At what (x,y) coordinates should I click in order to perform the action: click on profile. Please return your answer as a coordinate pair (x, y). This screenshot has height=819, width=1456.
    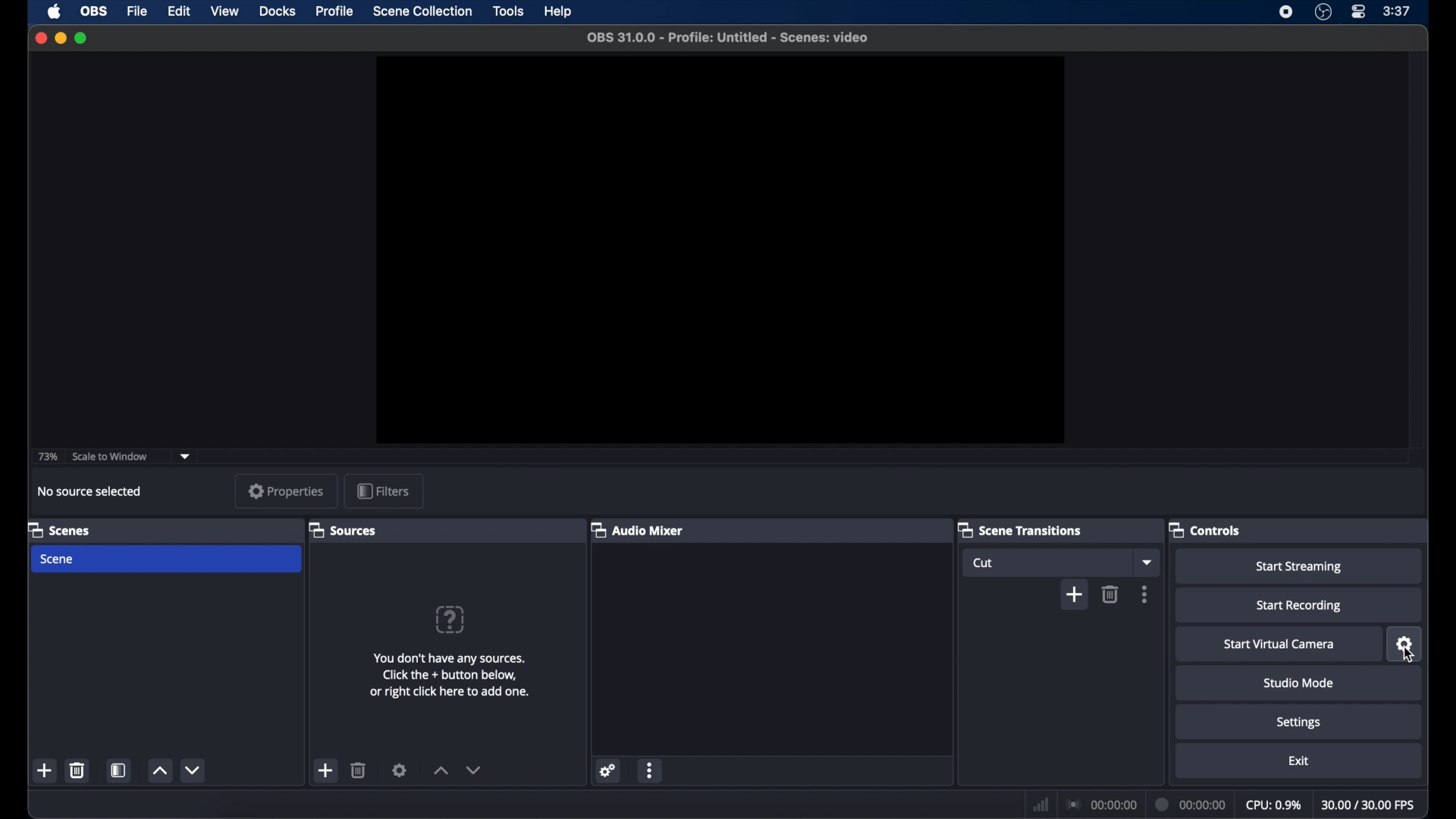
    Looking at the image, I should click on (337, 11).